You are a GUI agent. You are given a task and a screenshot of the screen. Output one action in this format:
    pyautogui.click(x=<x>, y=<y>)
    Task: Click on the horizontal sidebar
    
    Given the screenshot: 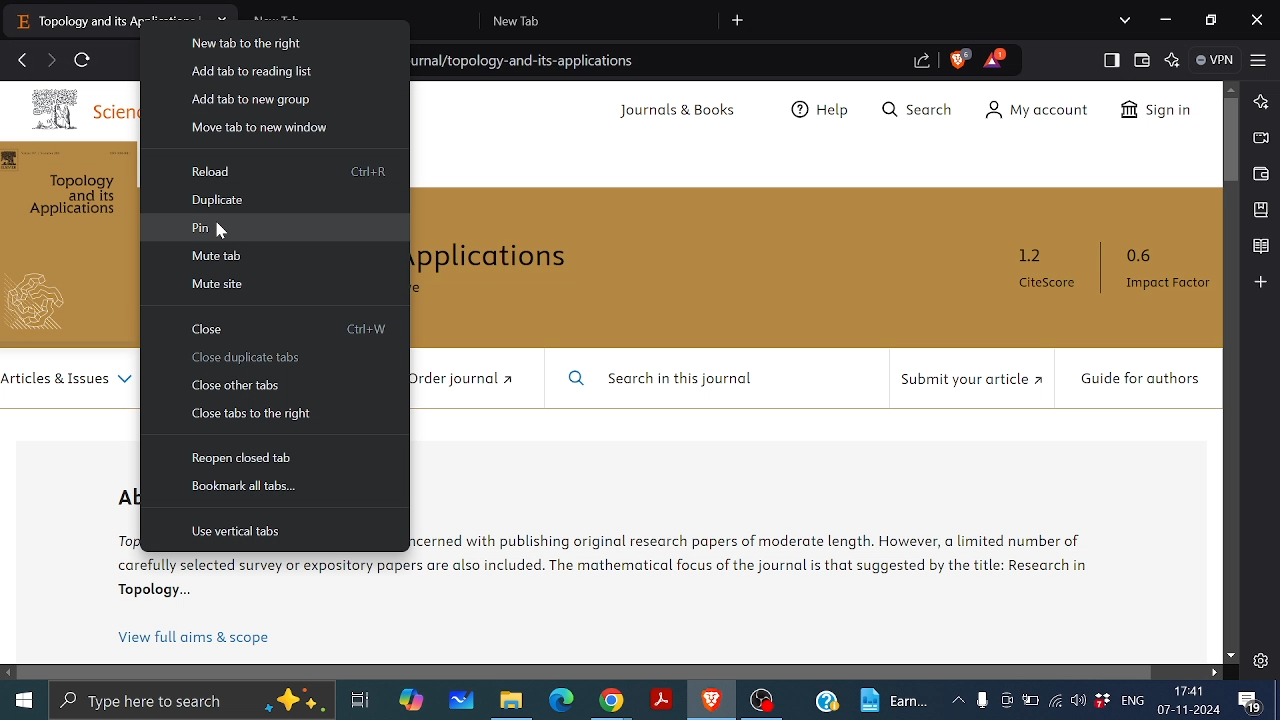 What is the action you would take?
    pyautogui.click(x=587, y=671)
    